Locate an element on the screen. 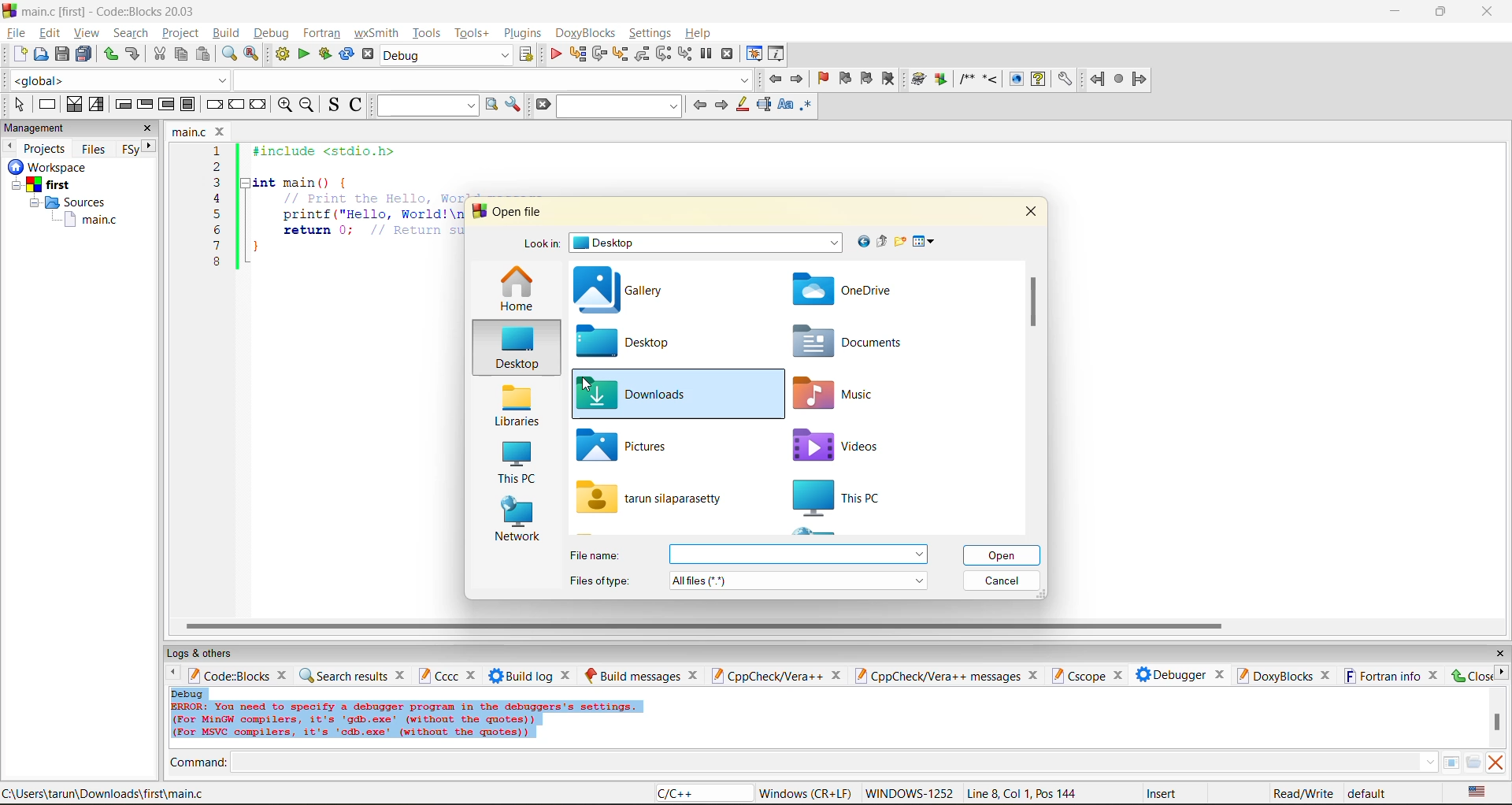 The height and width of the screenshot is (805, 1512). close is located at coordinates (1117, 676).